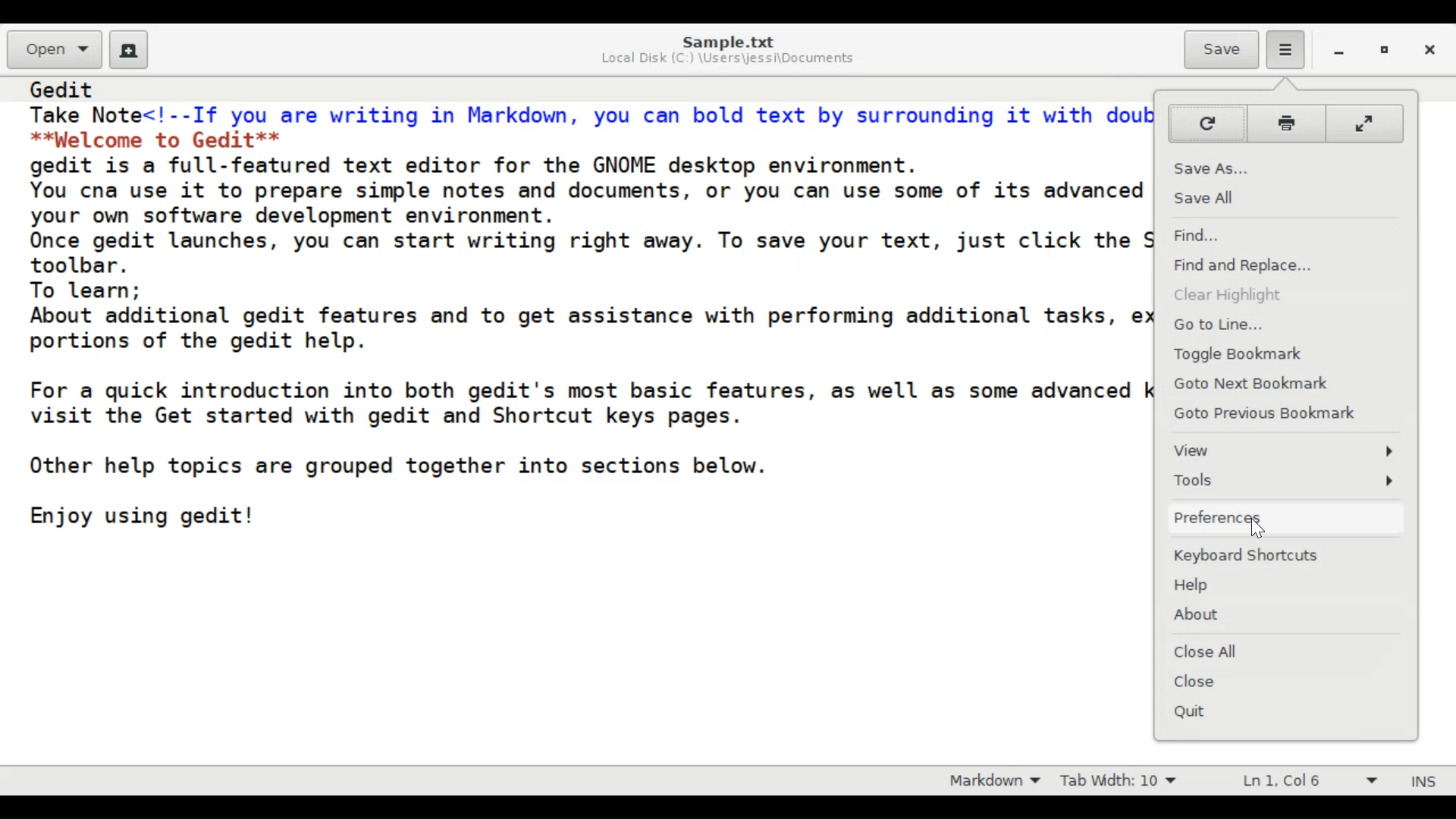 The height and width of the screenshot is (819, 1456). What do you see at coordinates (55, 49) in the screenshot?
I see `Open` at bounding box center [55, 49].